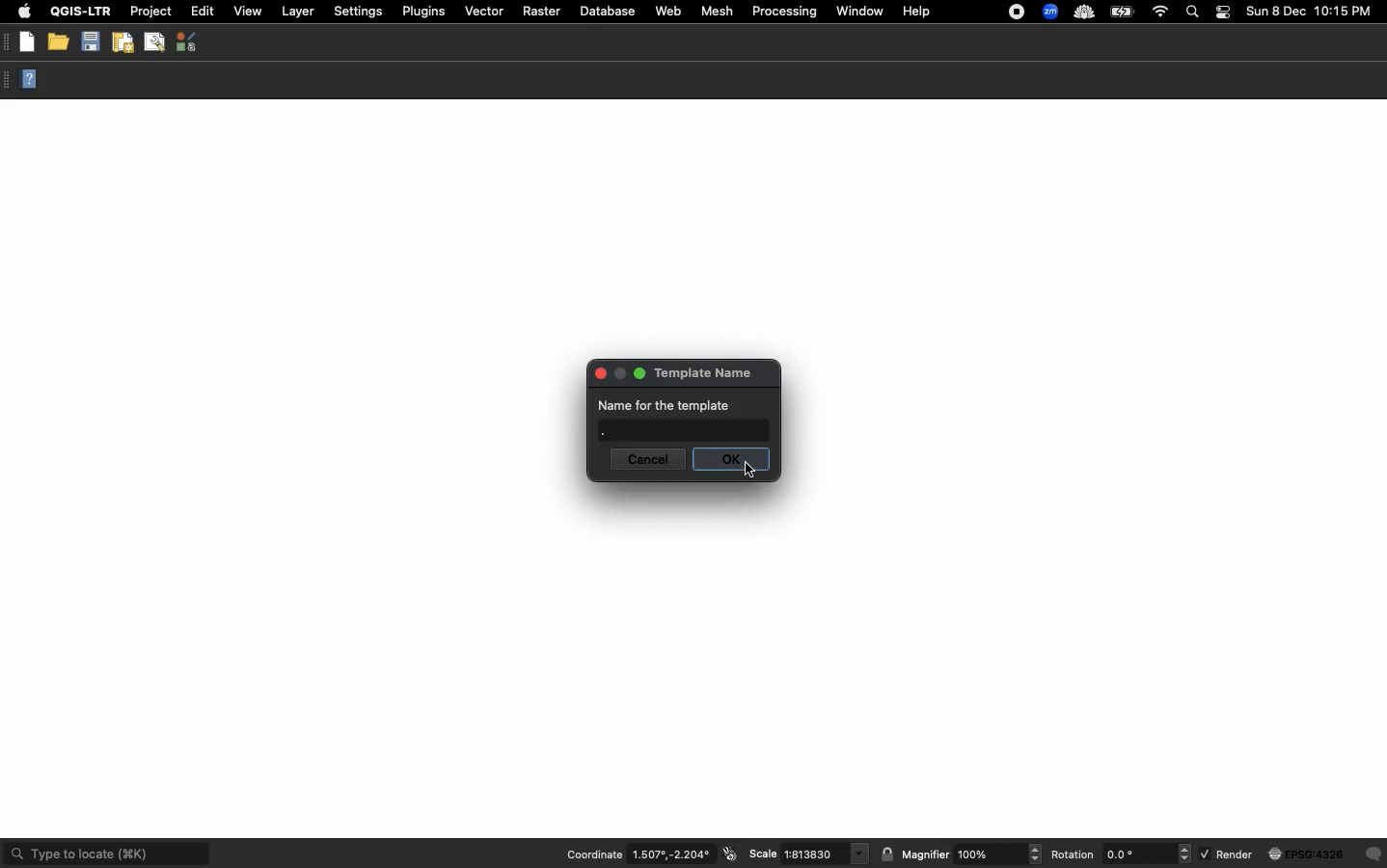  Describe the element at coordinates (23, 41) in the screenshot. I see `New ` at that location.